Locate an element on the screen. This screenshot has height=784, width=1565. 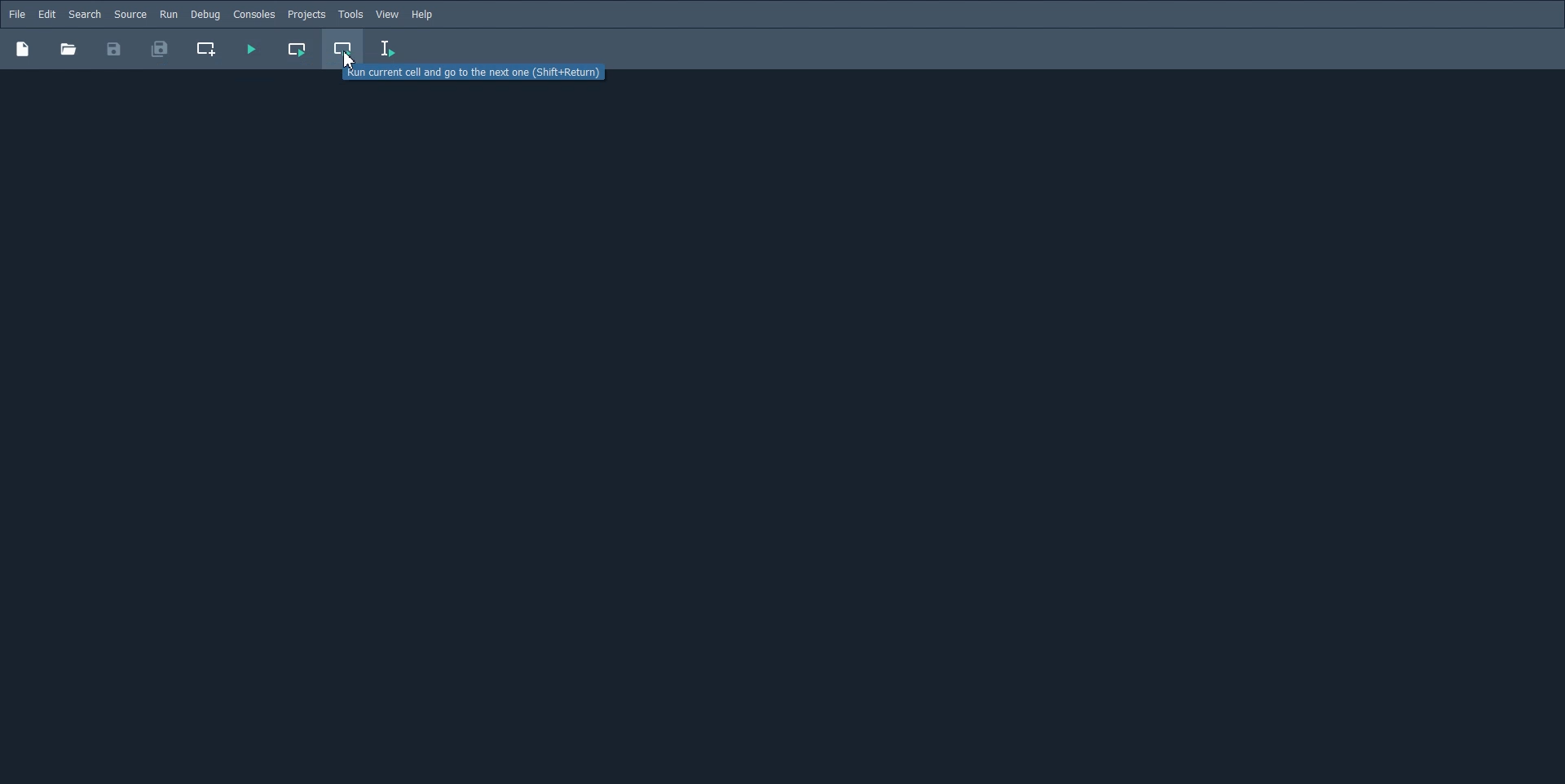
Console is located at coordinates (253, 15).